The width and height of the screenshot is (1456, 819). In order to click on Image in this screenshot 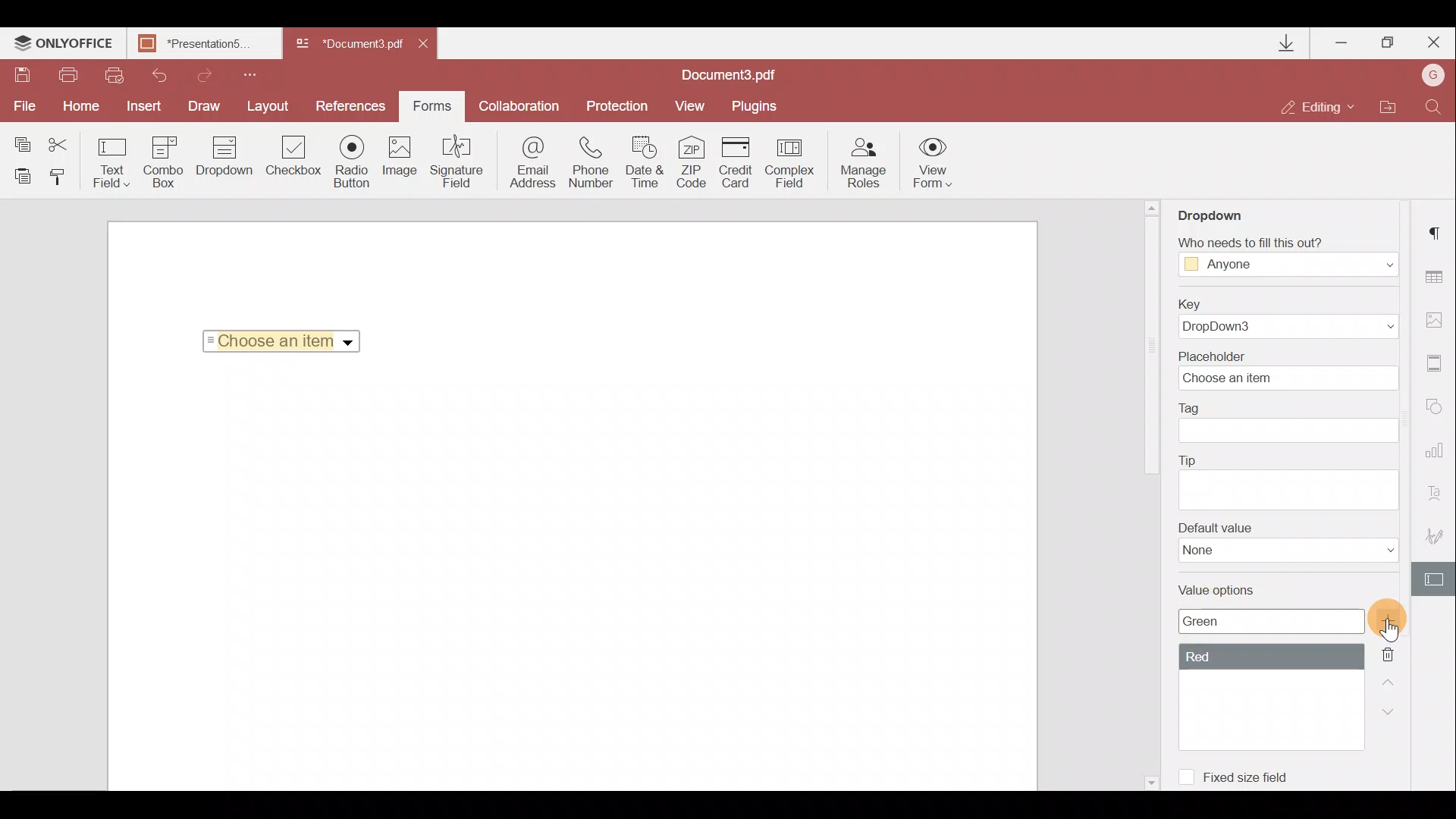, I will do `click(403, 161)`.